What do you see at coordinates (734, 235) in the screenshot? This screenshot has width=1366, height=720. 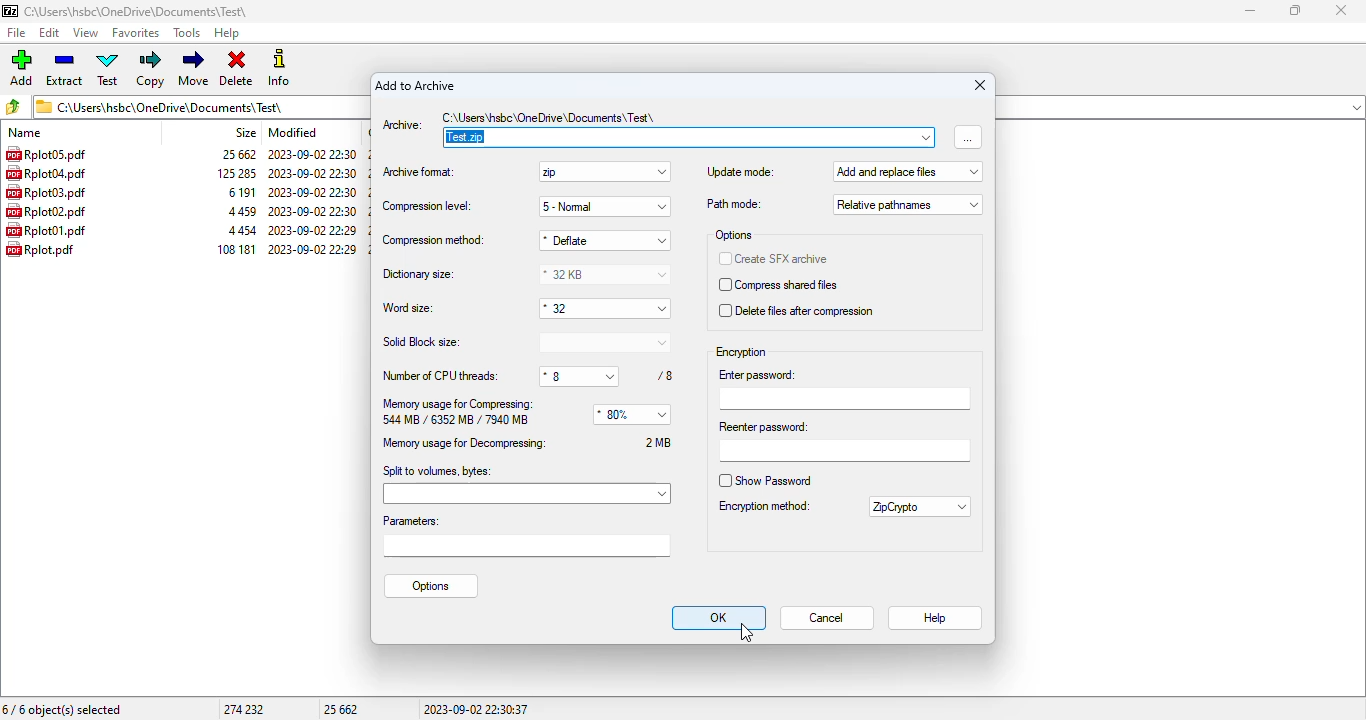 I see `options` at bounding box center [734, 235].